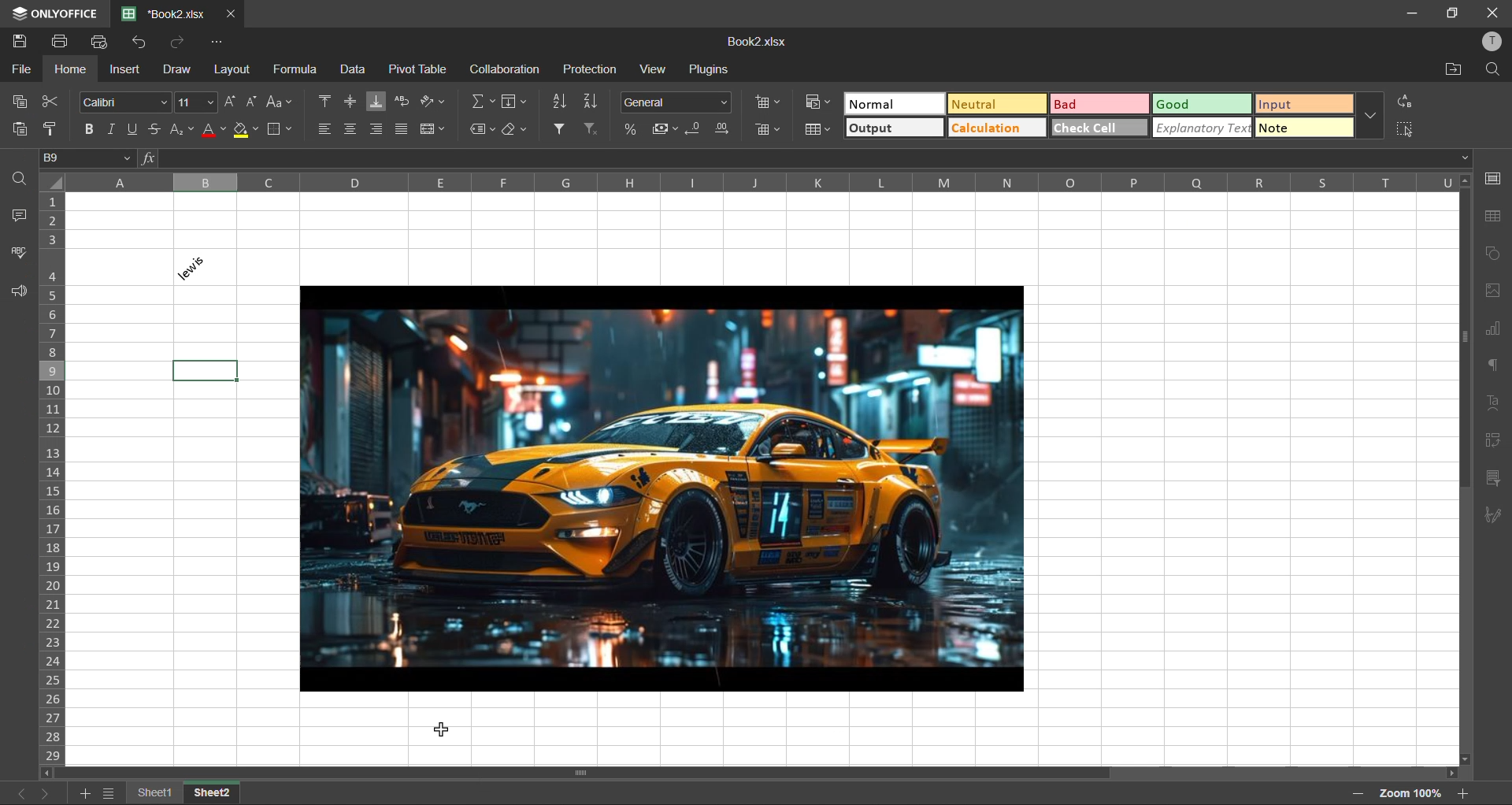 This screenshot has height=805, width=1512. Describe the element at coordinates (280, 102) in the screenshot. I see `change case` at that location.